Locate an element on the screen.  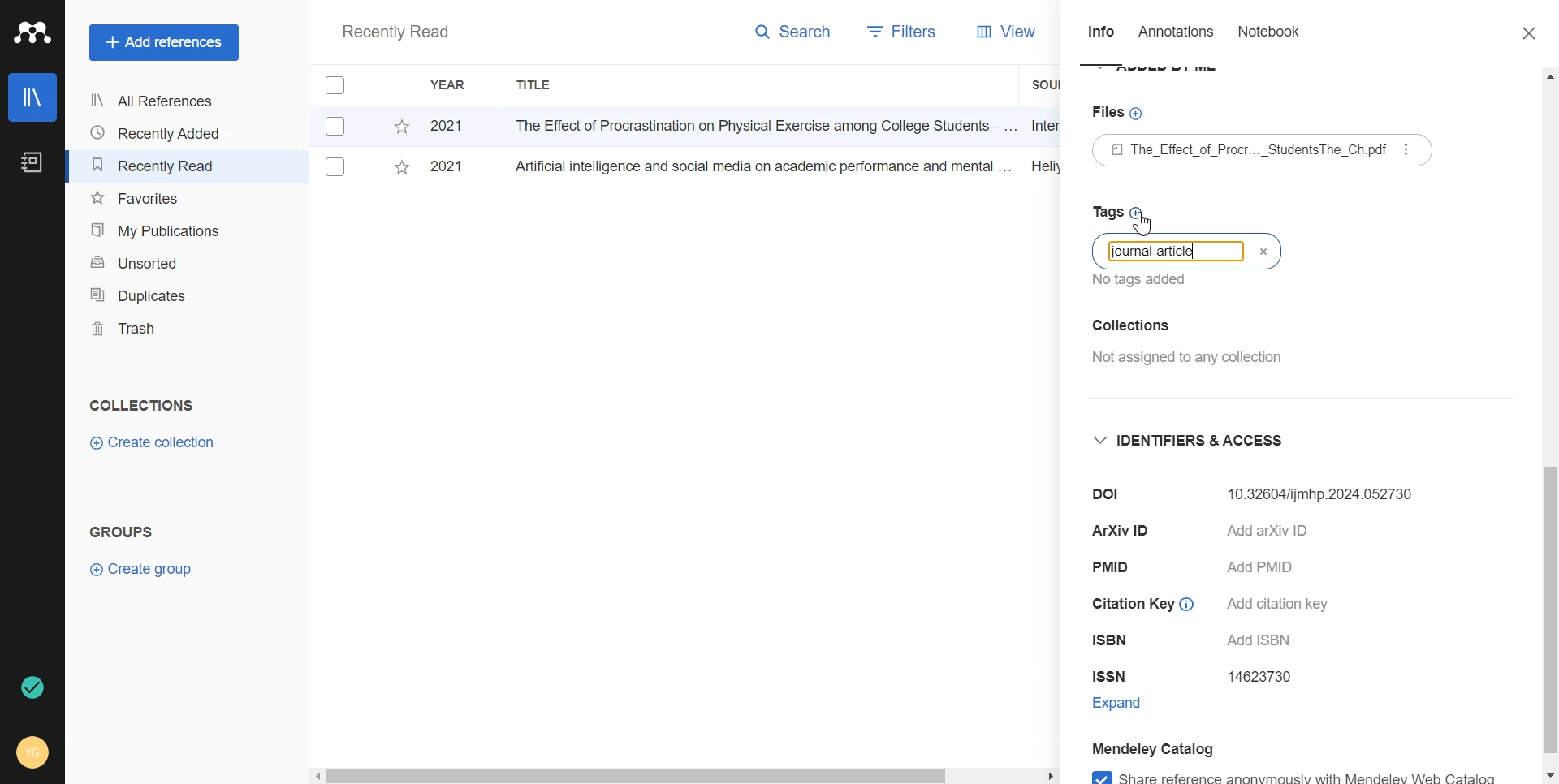
Library is located at coordinates (33, 97).